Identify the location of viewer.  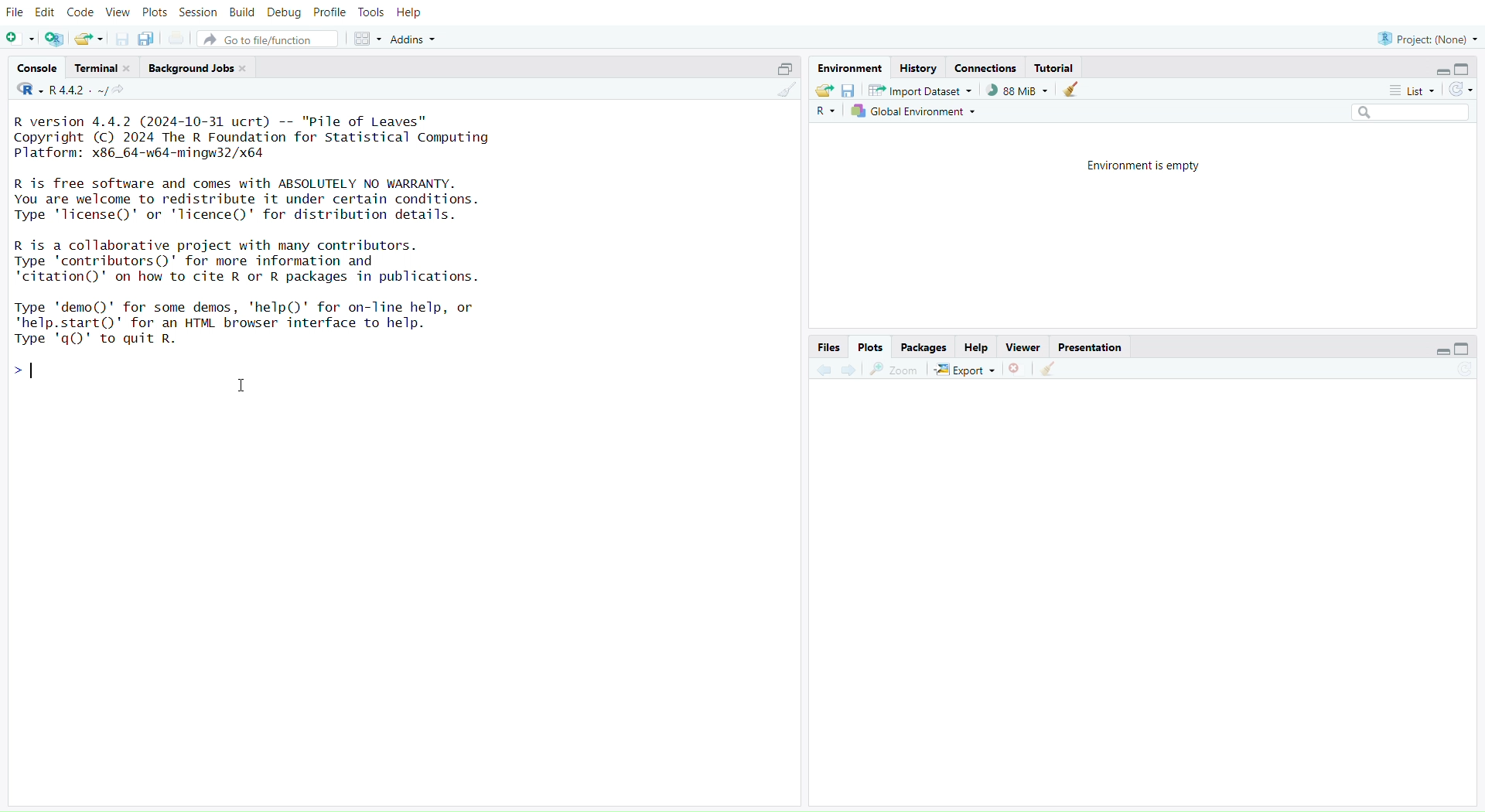
(1025, 347).